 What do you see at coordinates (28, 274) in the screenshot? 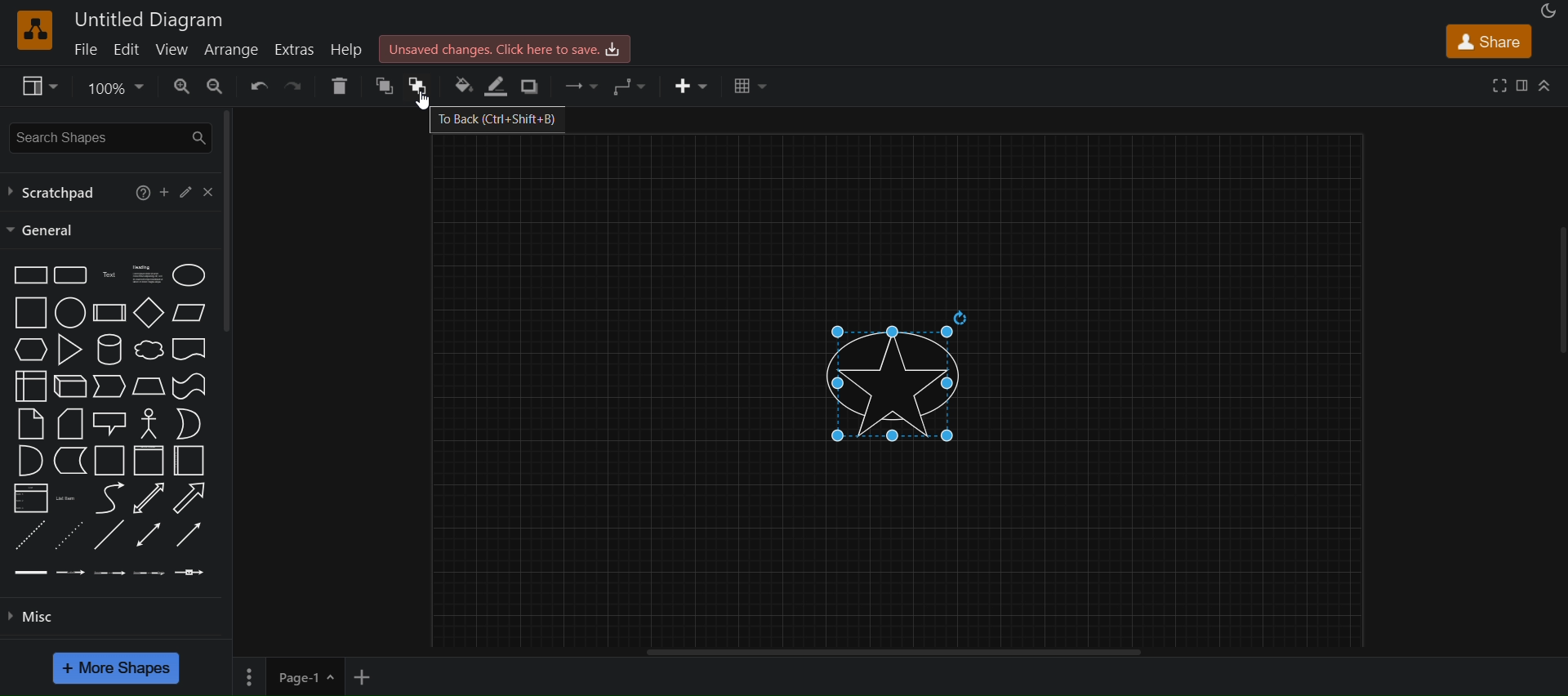
I see `rectangle` at bounding box center [28, 274].